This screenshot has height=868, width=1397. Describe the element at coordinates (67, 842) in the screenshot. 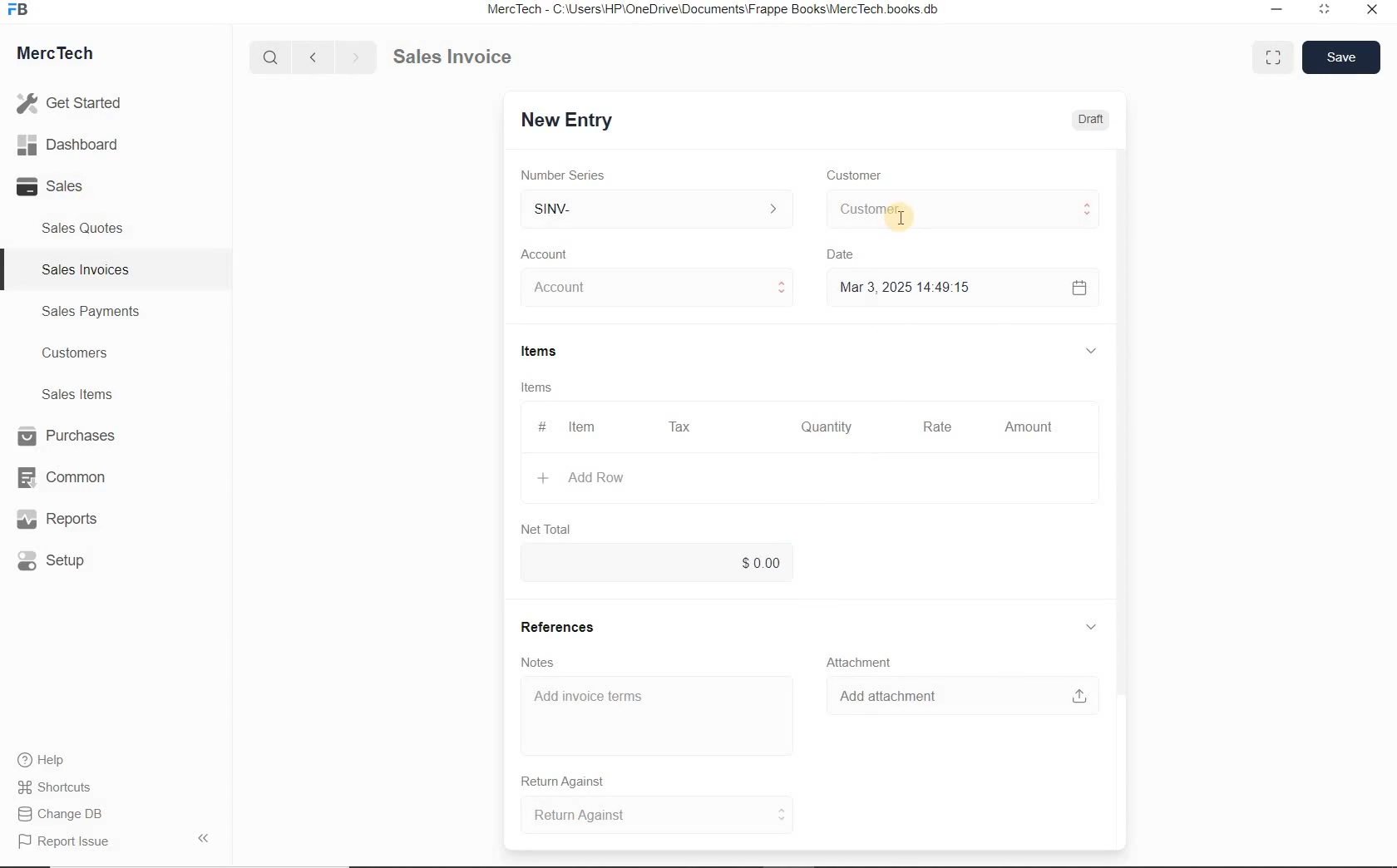

I see `Report Issue` at that location.